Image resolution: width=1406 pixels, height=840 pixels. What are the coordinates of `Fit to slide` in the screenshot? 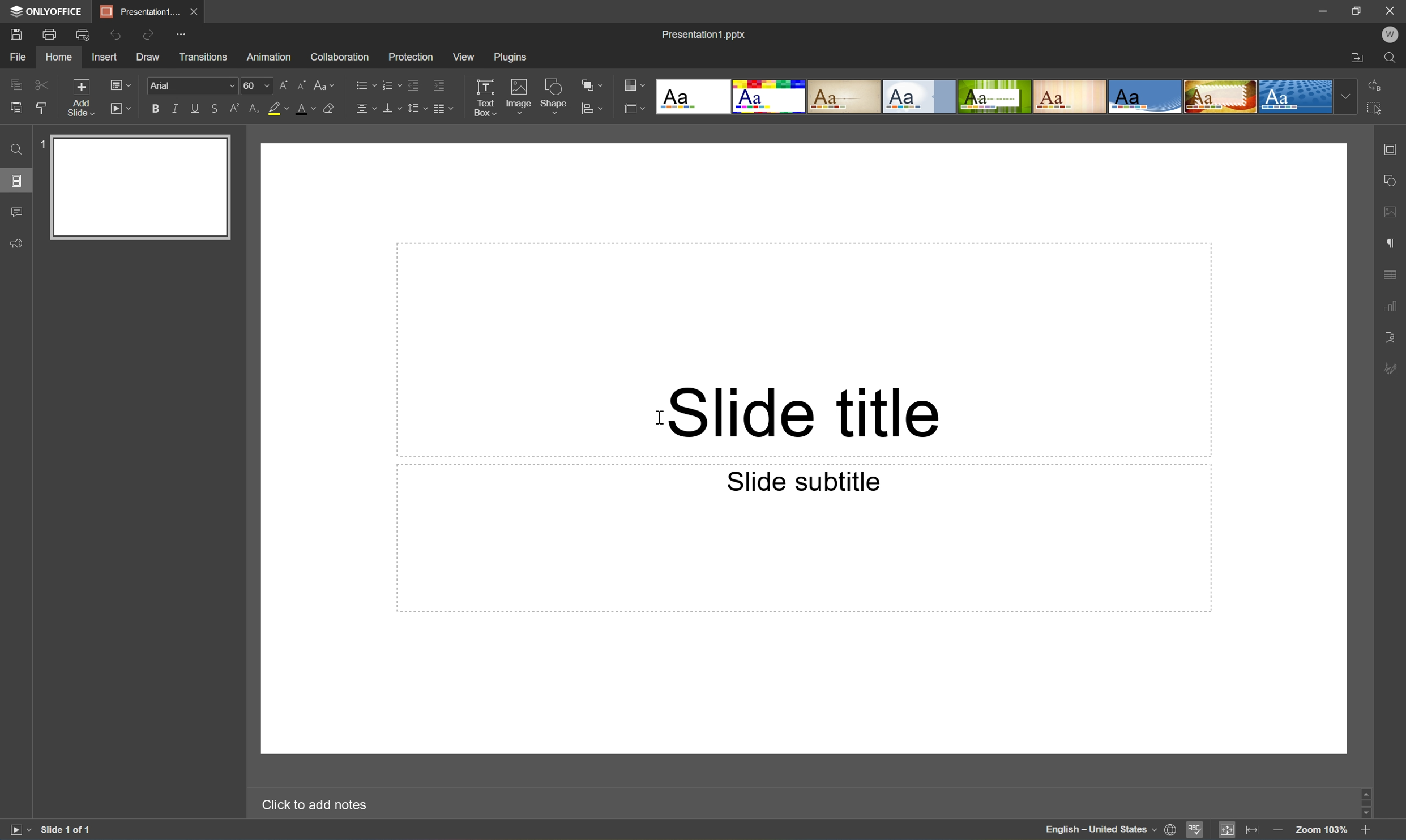 It's located at (1226, 830).